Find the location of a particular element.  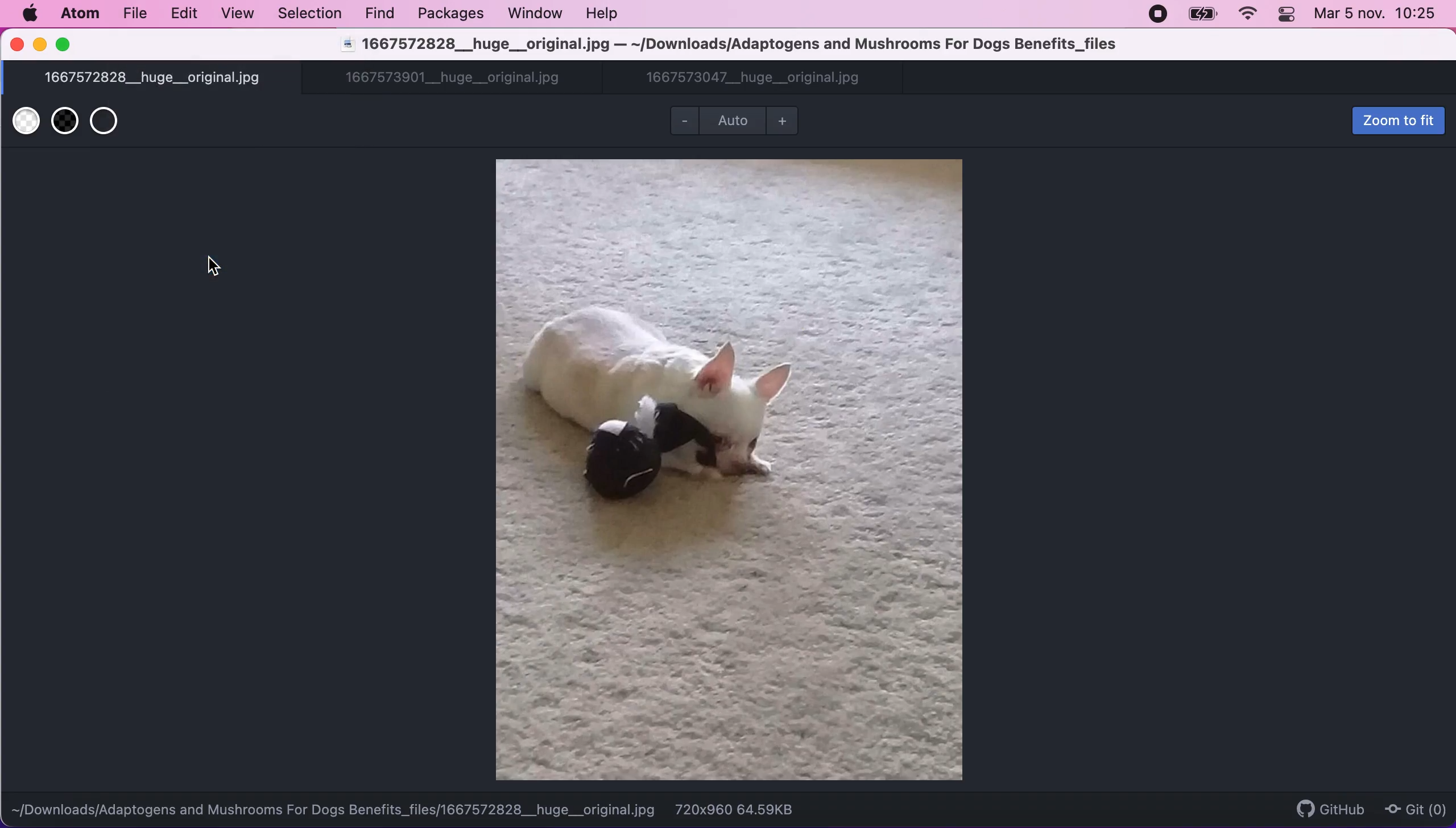

atom is located at coordinates (85, 15).